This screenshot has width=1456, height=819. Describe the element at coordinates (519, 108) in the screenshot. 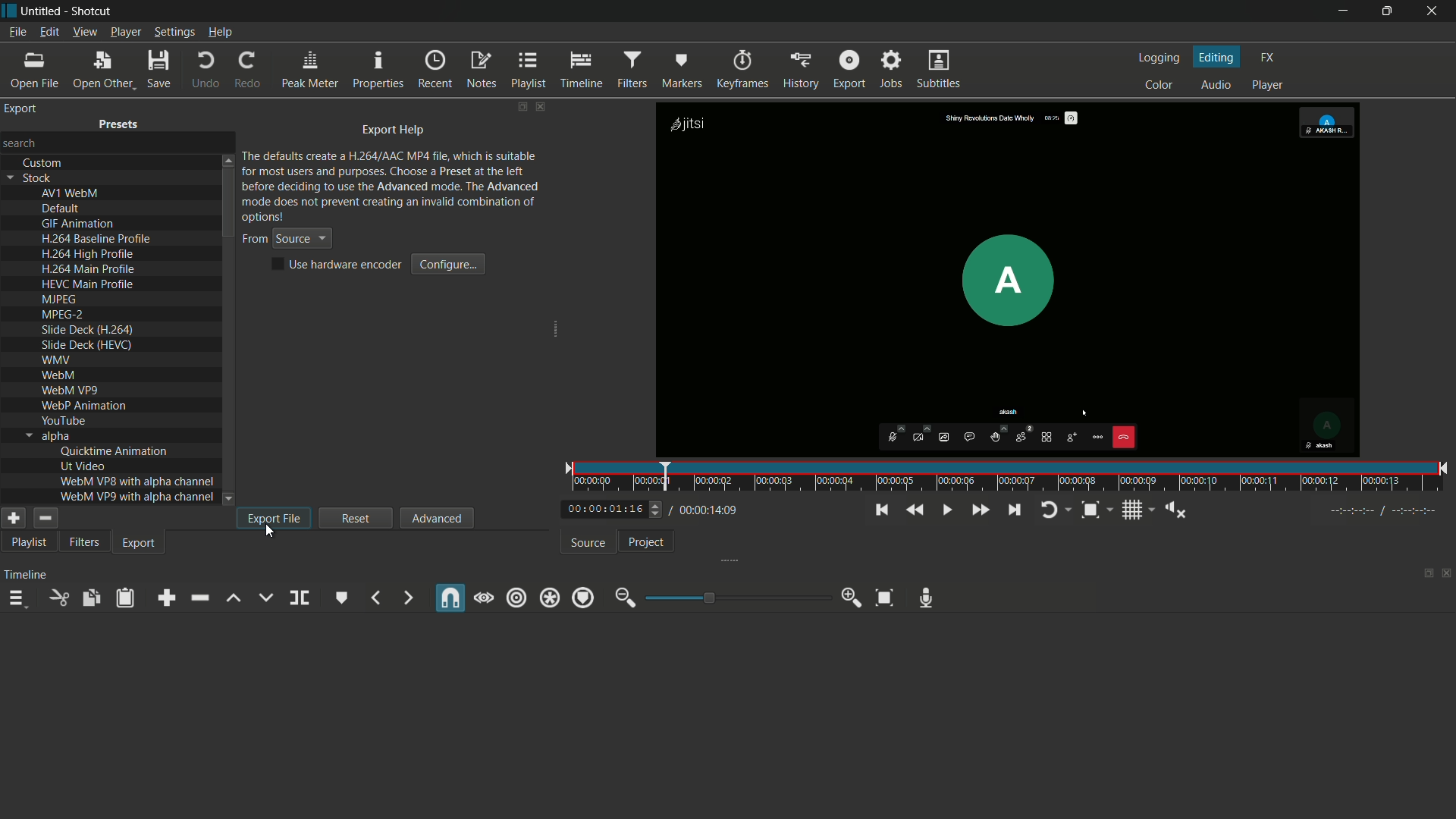

I see `change layout` at that location.